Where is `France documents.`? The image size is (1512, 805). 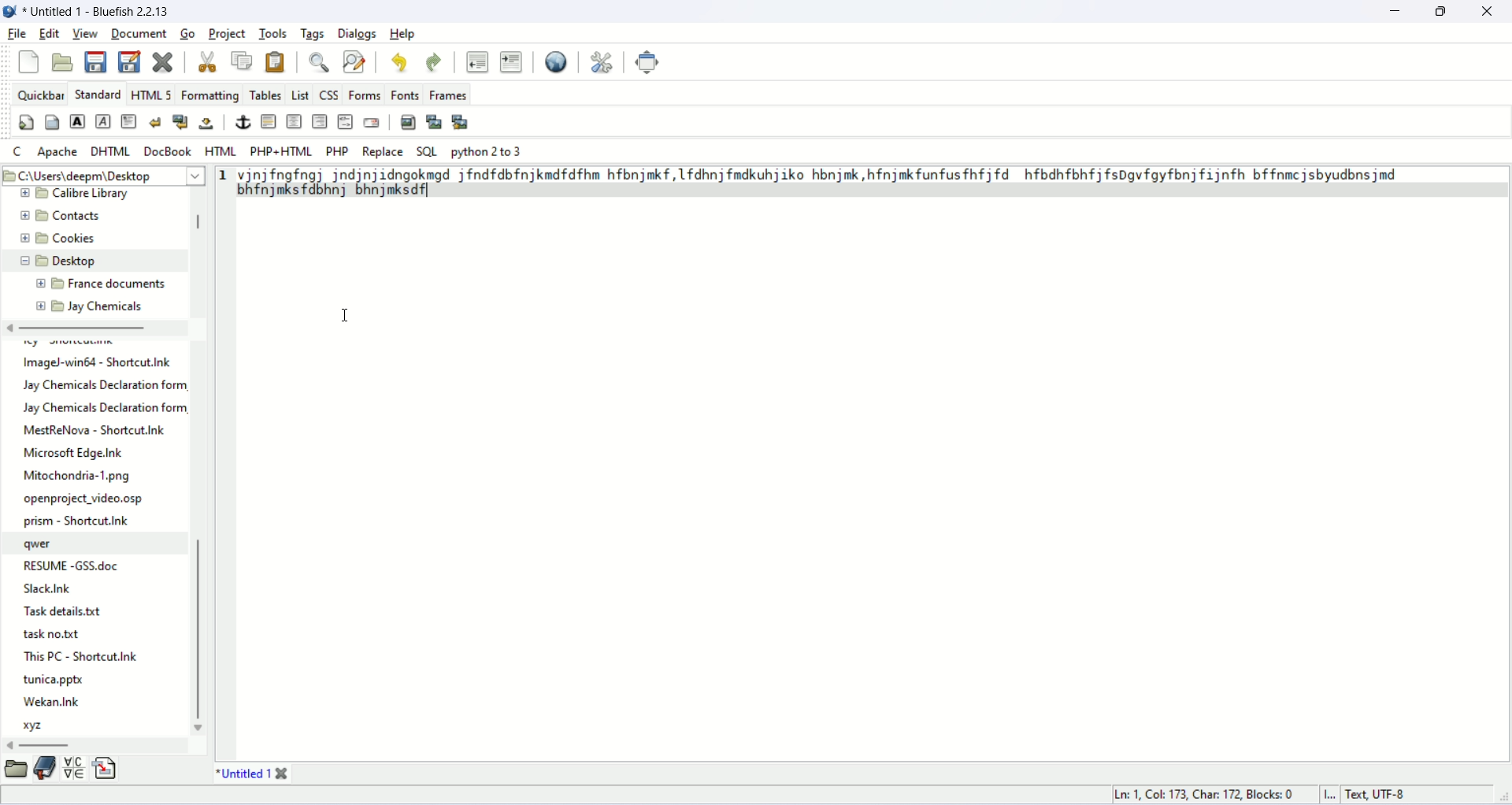
France documents. is located at coordinates (118, 284).